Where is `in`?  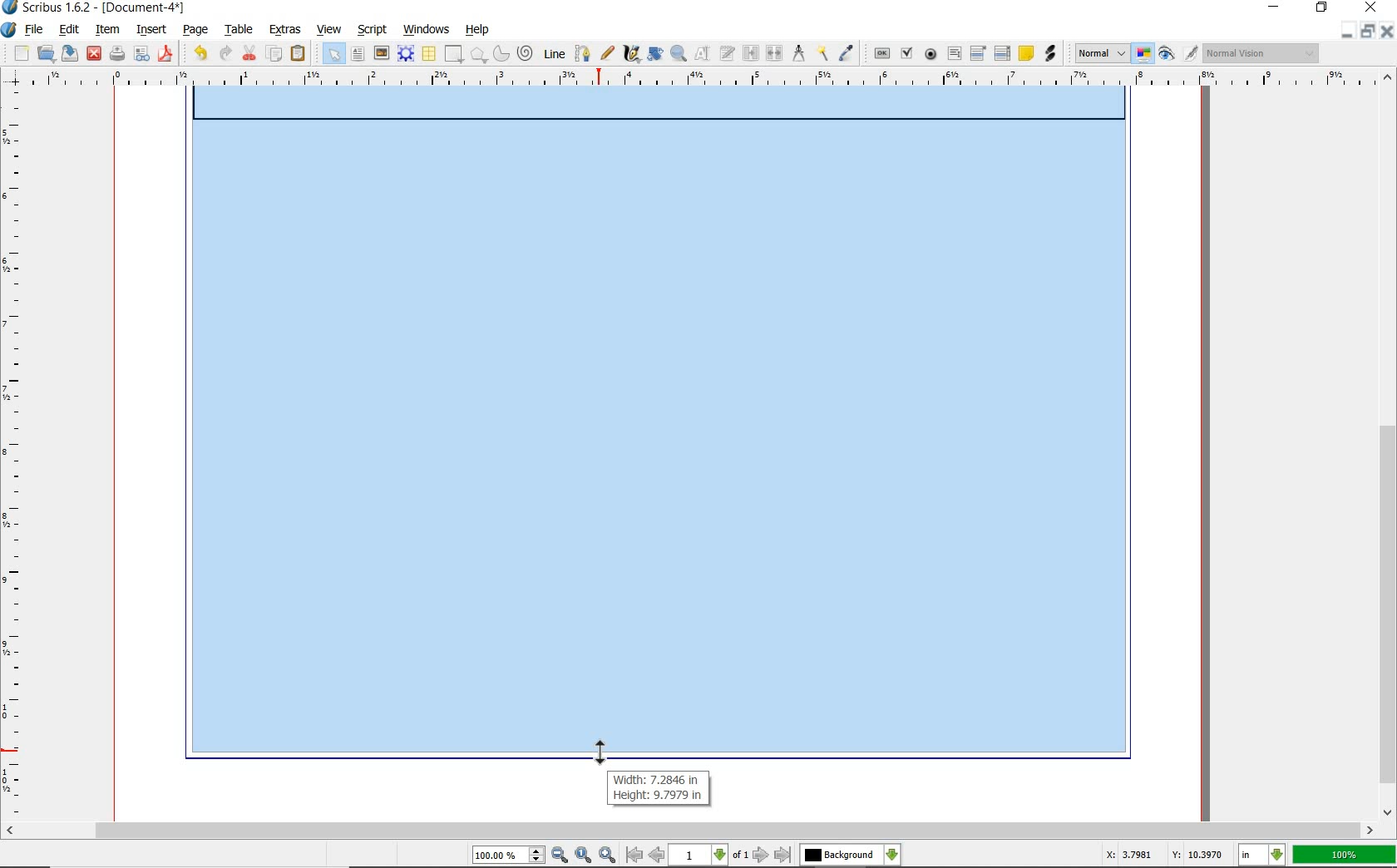
in is located at coordinates (1262, 855).